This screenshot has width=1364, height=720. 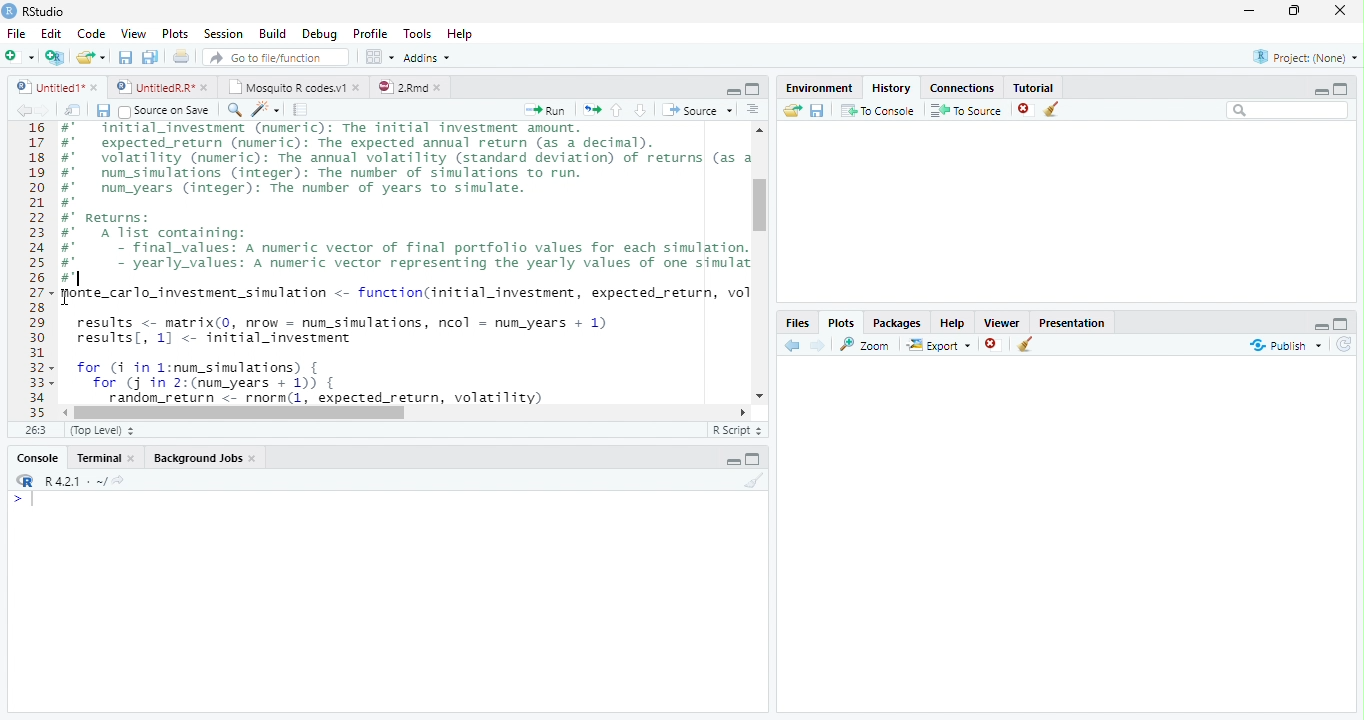 What do you see at coordinates (38, 457) in the screenshot?
I see `Console` at bounding box center [38, 457].